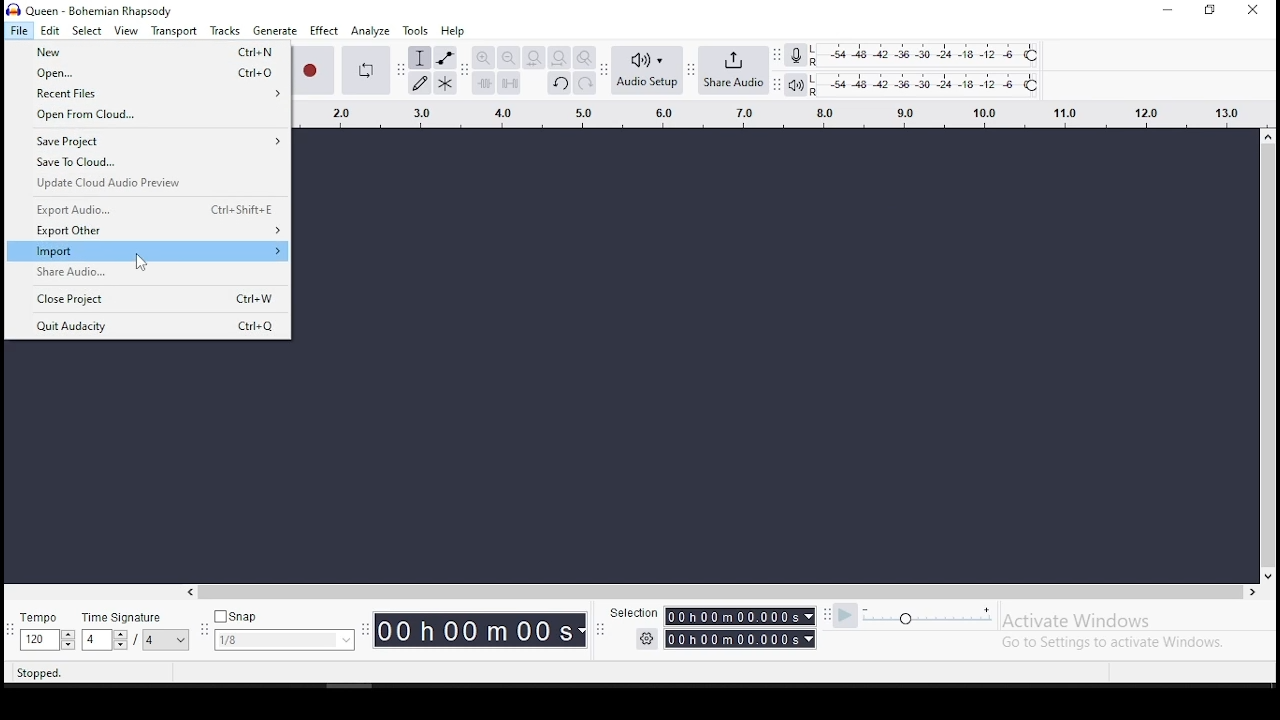  I want to click on 00h00M00s, so click(480, 630).